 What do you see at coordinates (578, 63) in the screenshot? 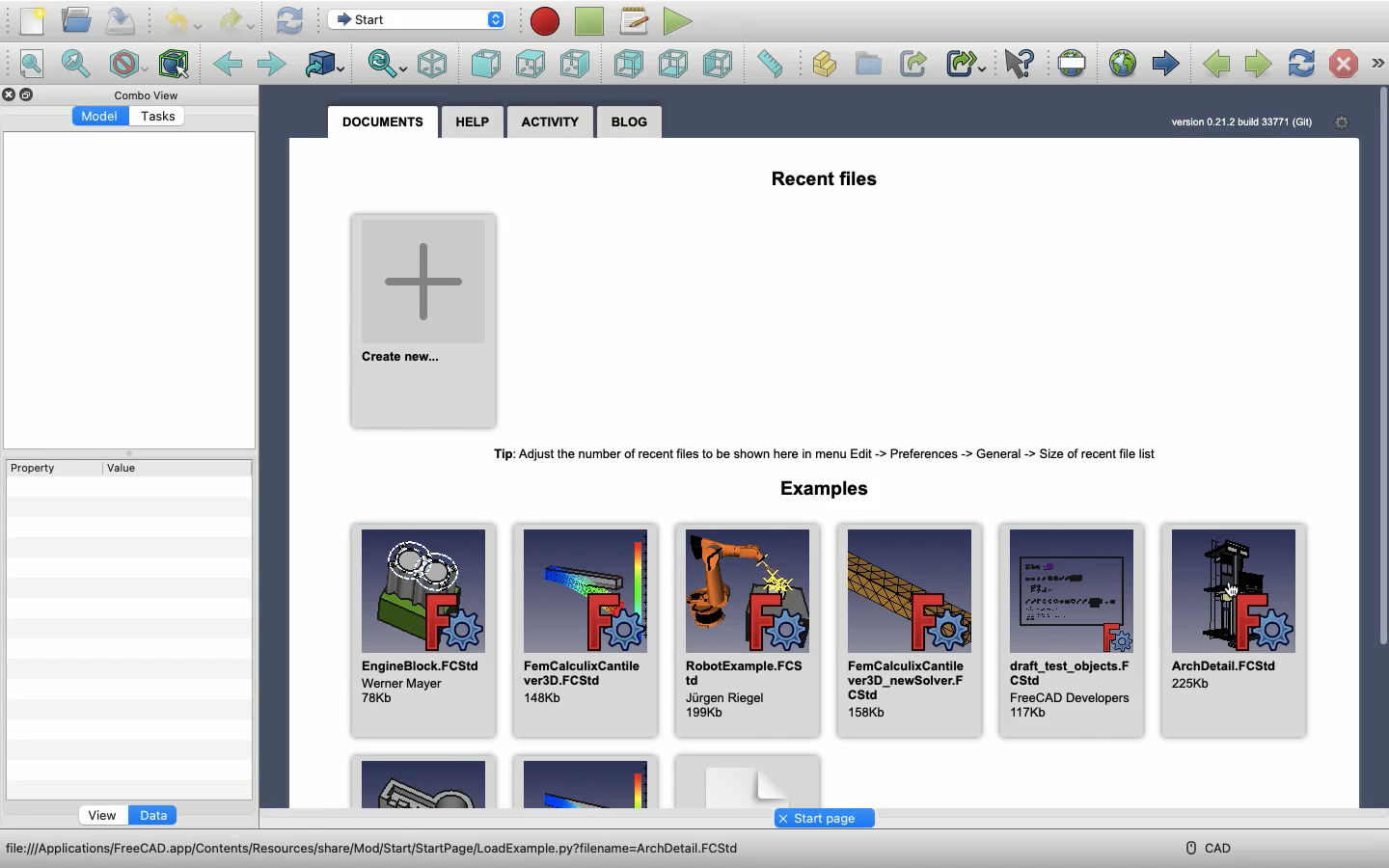
I see `Right` at bounding box center [578, 63].